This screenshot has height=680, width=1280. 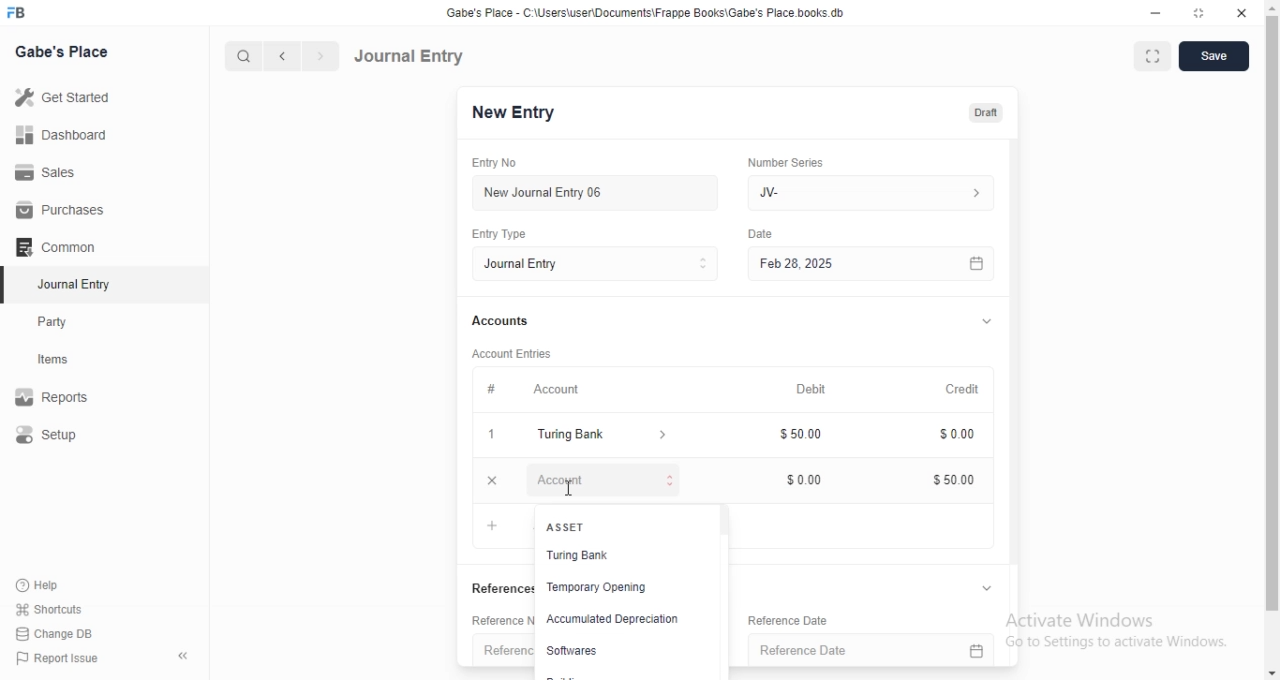 I want to click on Gabe's Place, so click(x=62, y=51).